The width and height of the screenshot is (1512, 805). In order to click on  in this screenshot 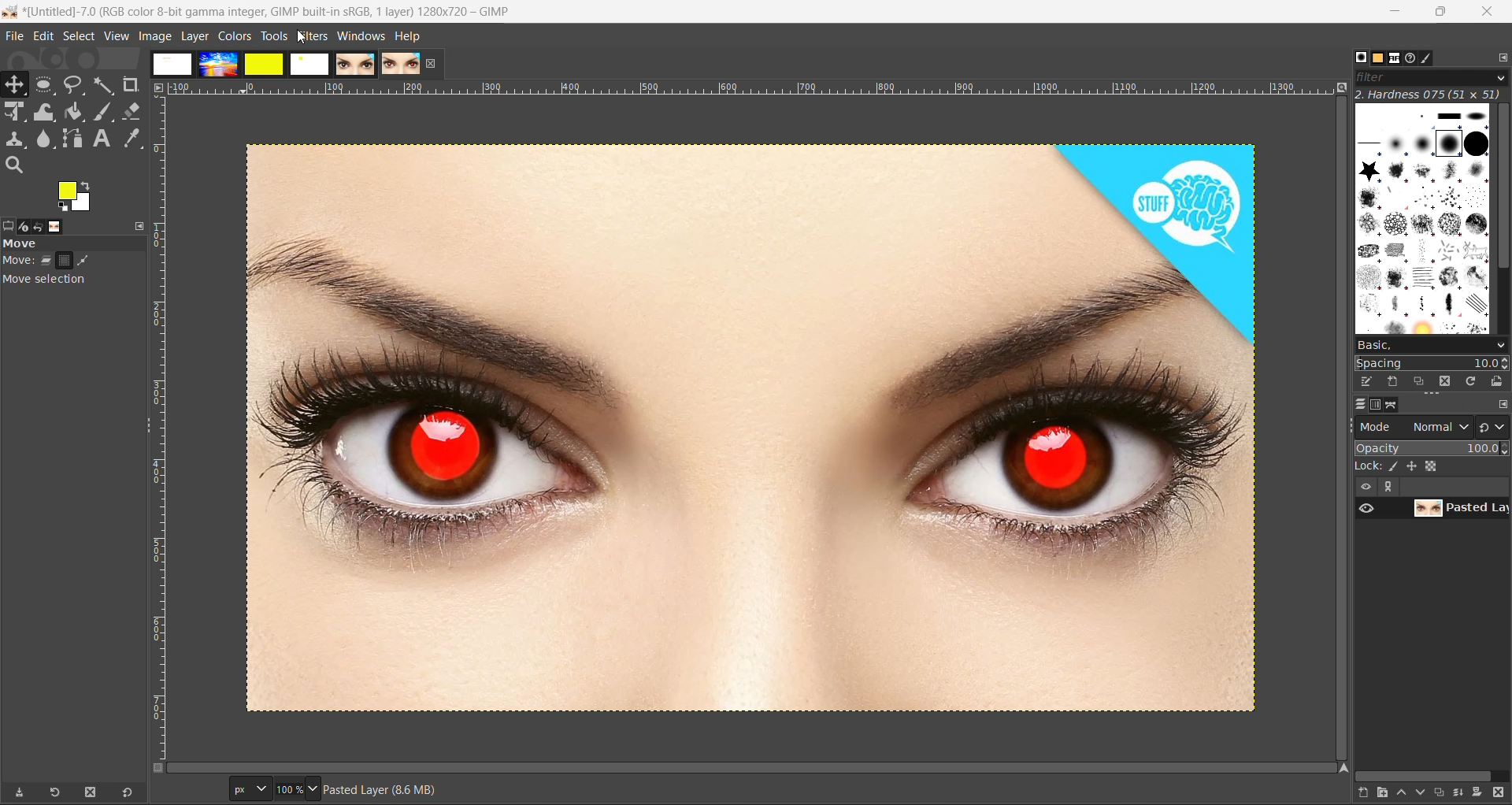, I will do `click(1350, 54)`.